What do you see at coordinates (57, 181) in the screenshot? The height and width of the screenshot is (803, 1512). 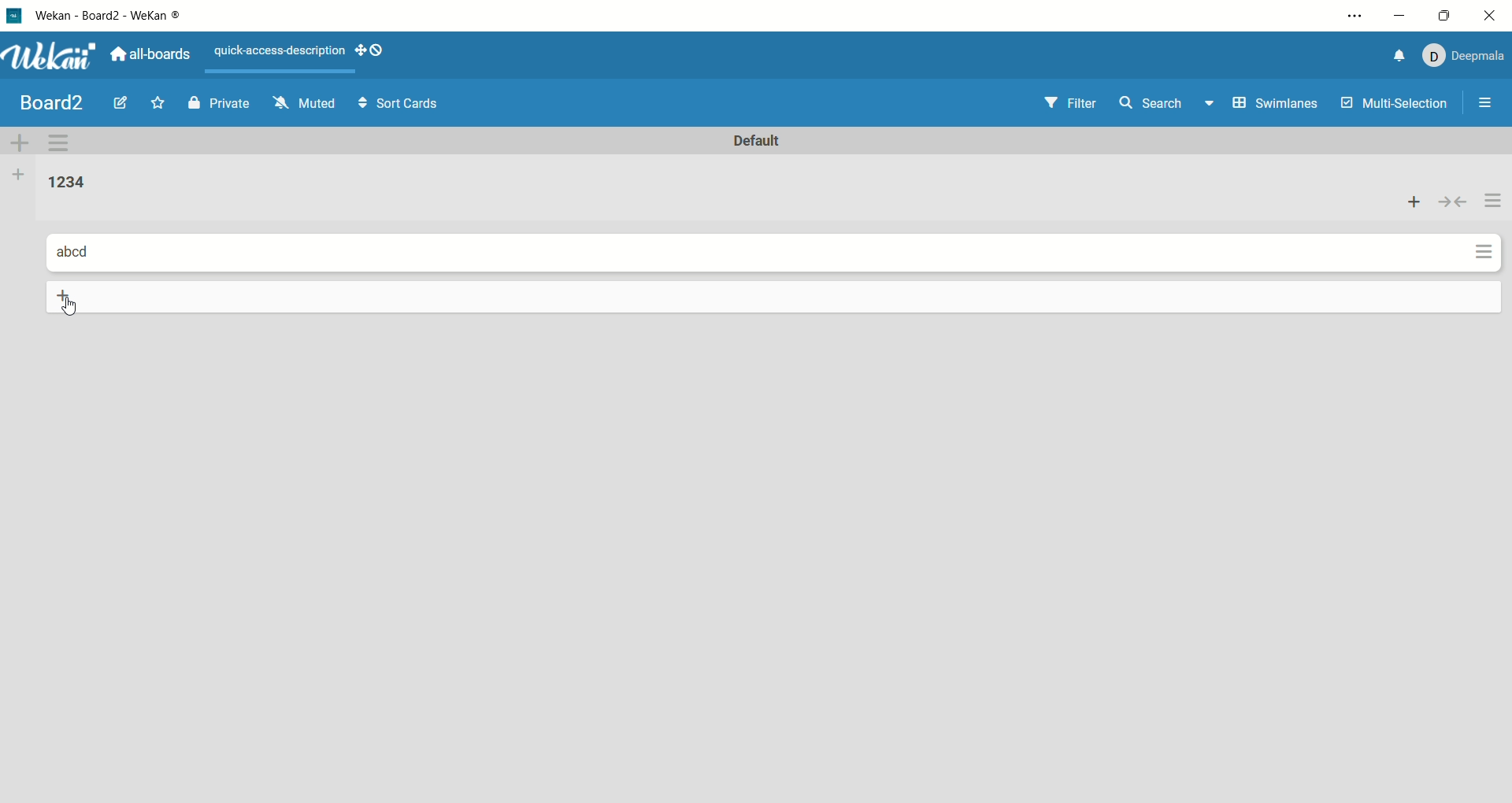 I see `list title` at bounding box center [57, 181].